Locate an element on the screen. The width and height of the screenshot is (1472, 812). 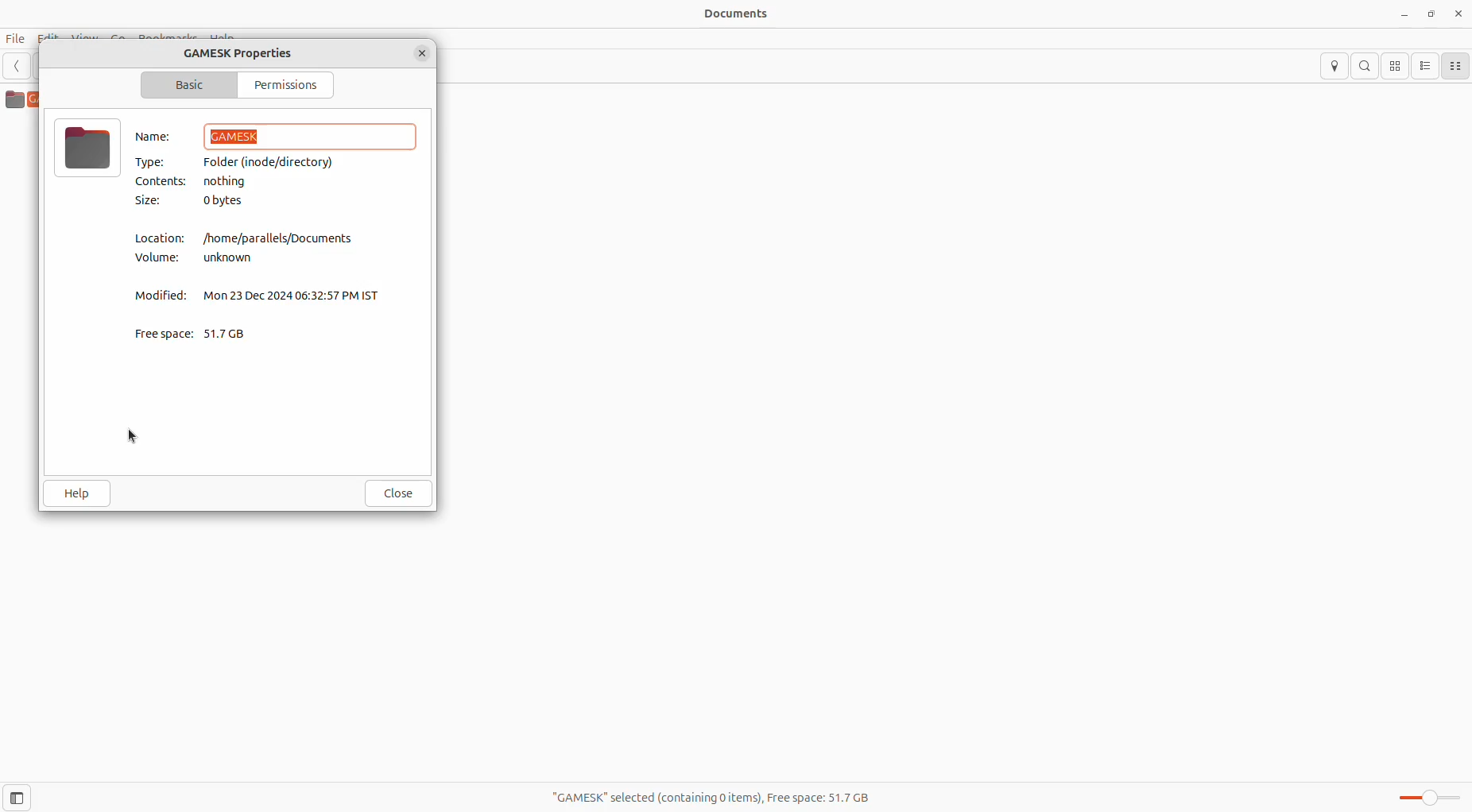
GAMESK properties is located at coordinates (249, 55).